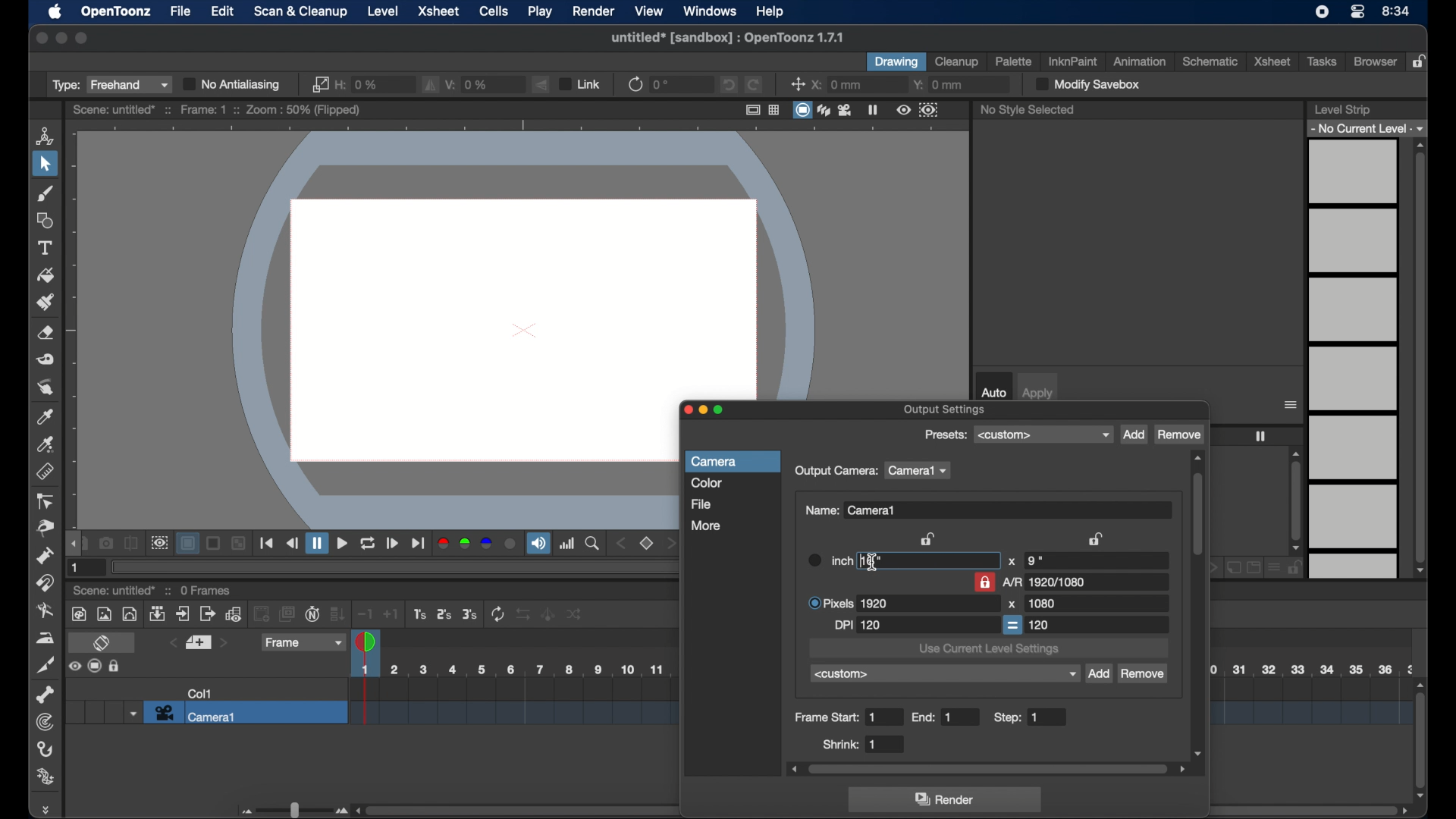  Describe the element at coordinates (190, 544) in the screenshot. I see `background` at that location.